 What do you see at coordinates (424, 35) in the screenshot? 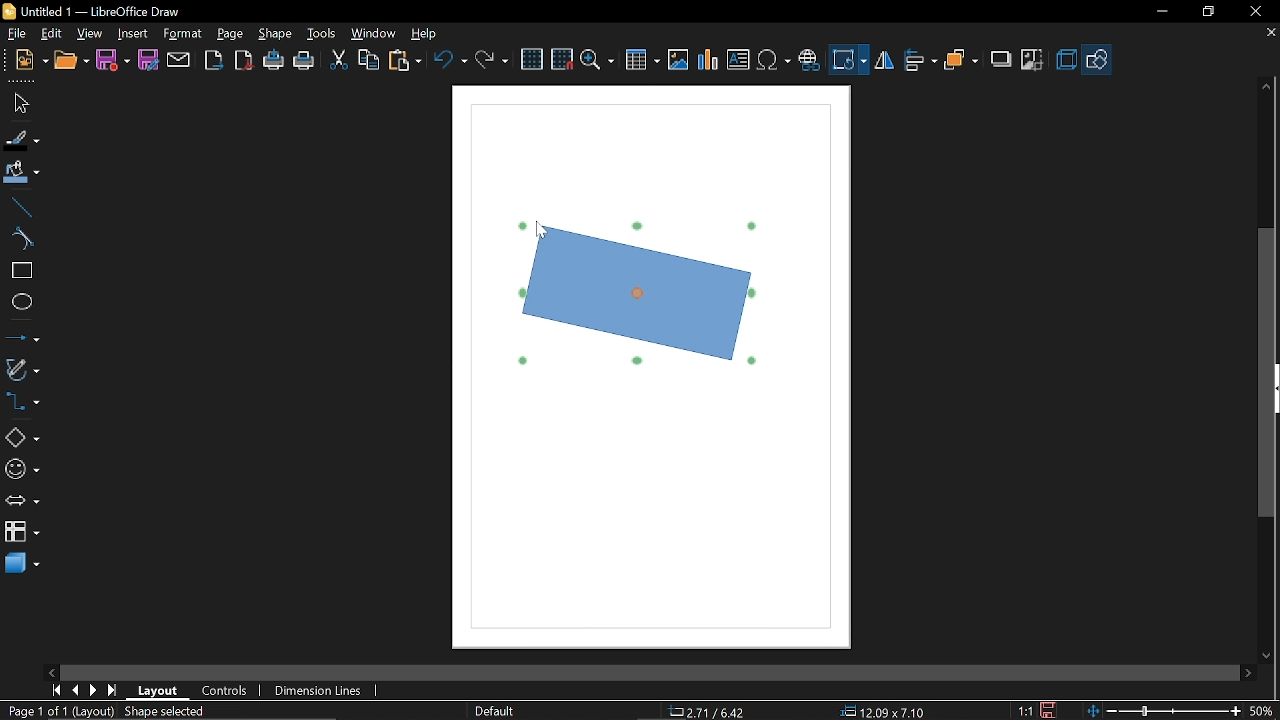
I see `help` at bounding box center [424, 35].